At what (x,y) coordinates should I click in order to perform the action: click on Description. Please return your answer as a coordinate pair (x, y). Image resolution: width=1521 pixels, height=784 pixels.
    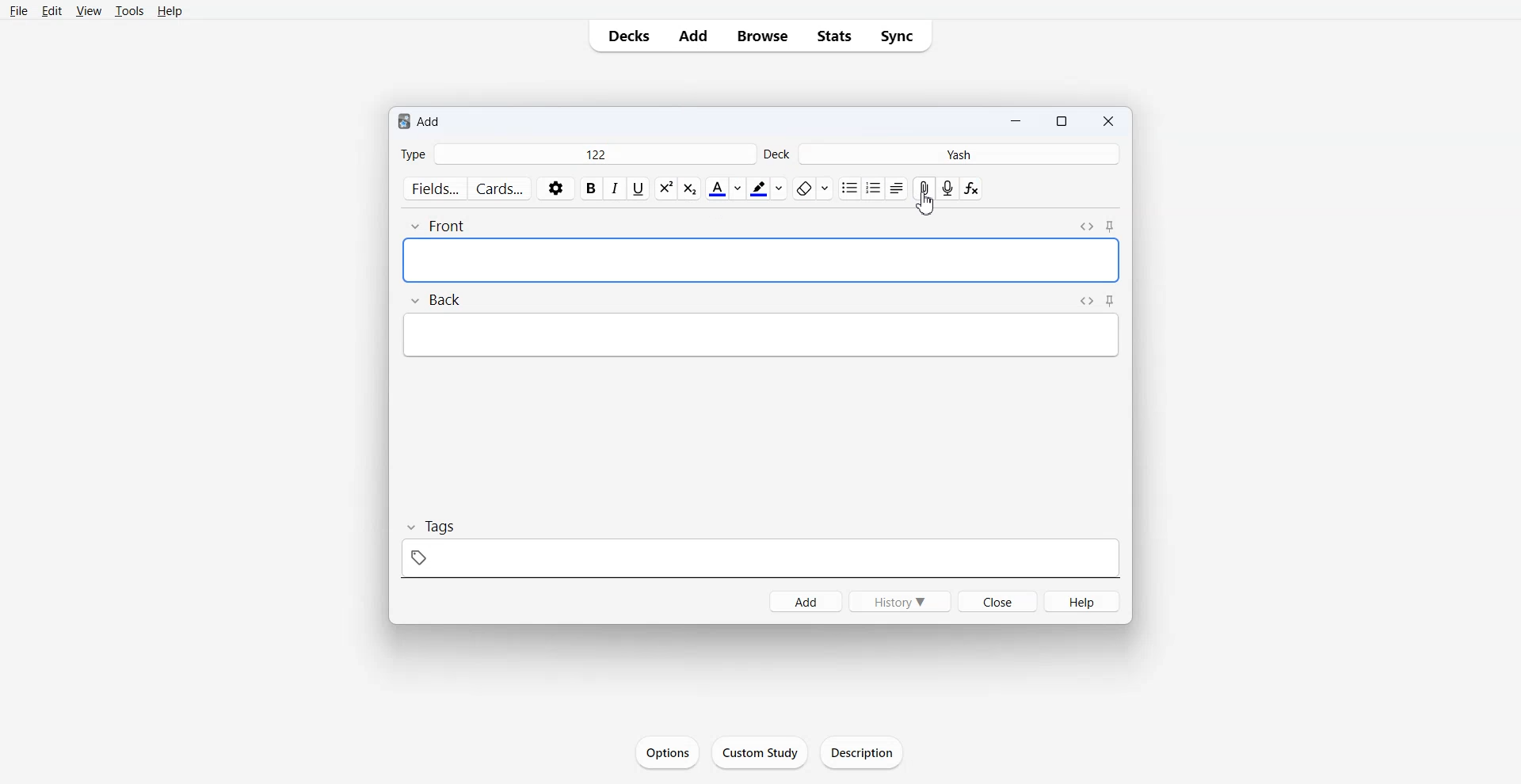
    Looking at the image, I should click on (859, 752).